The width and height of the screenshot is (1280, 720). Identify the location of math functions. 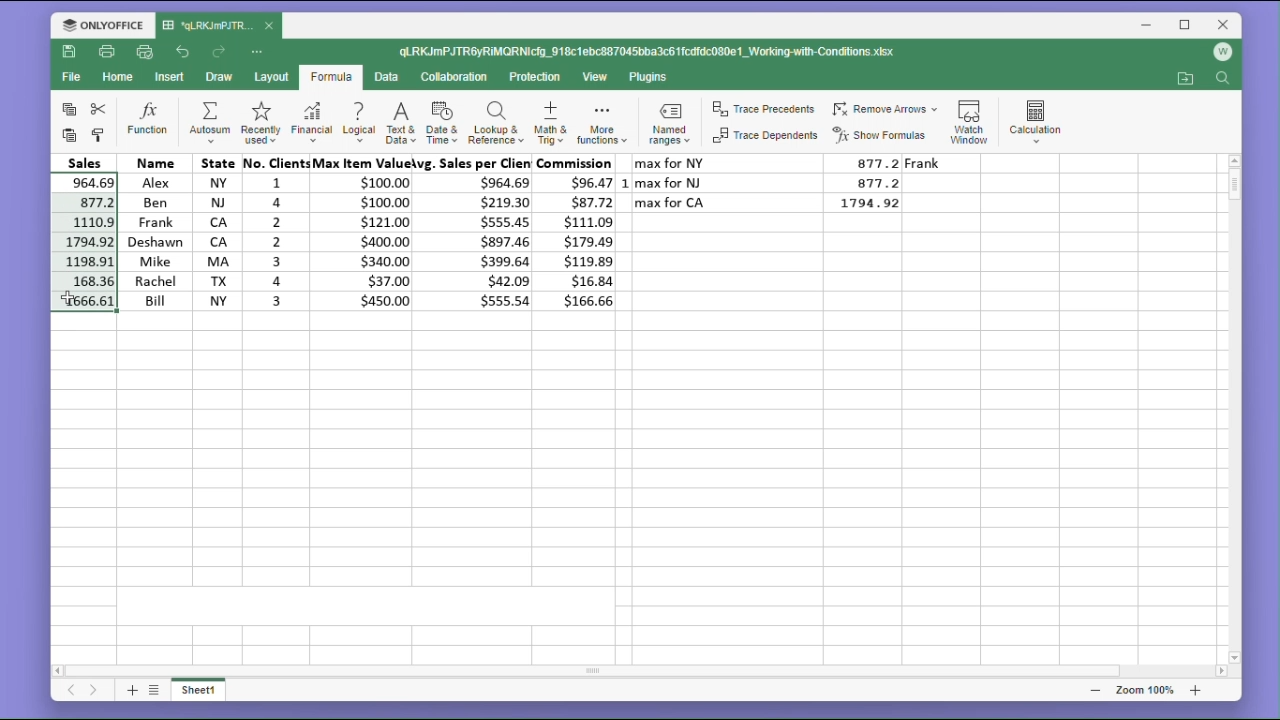
(601, 125).